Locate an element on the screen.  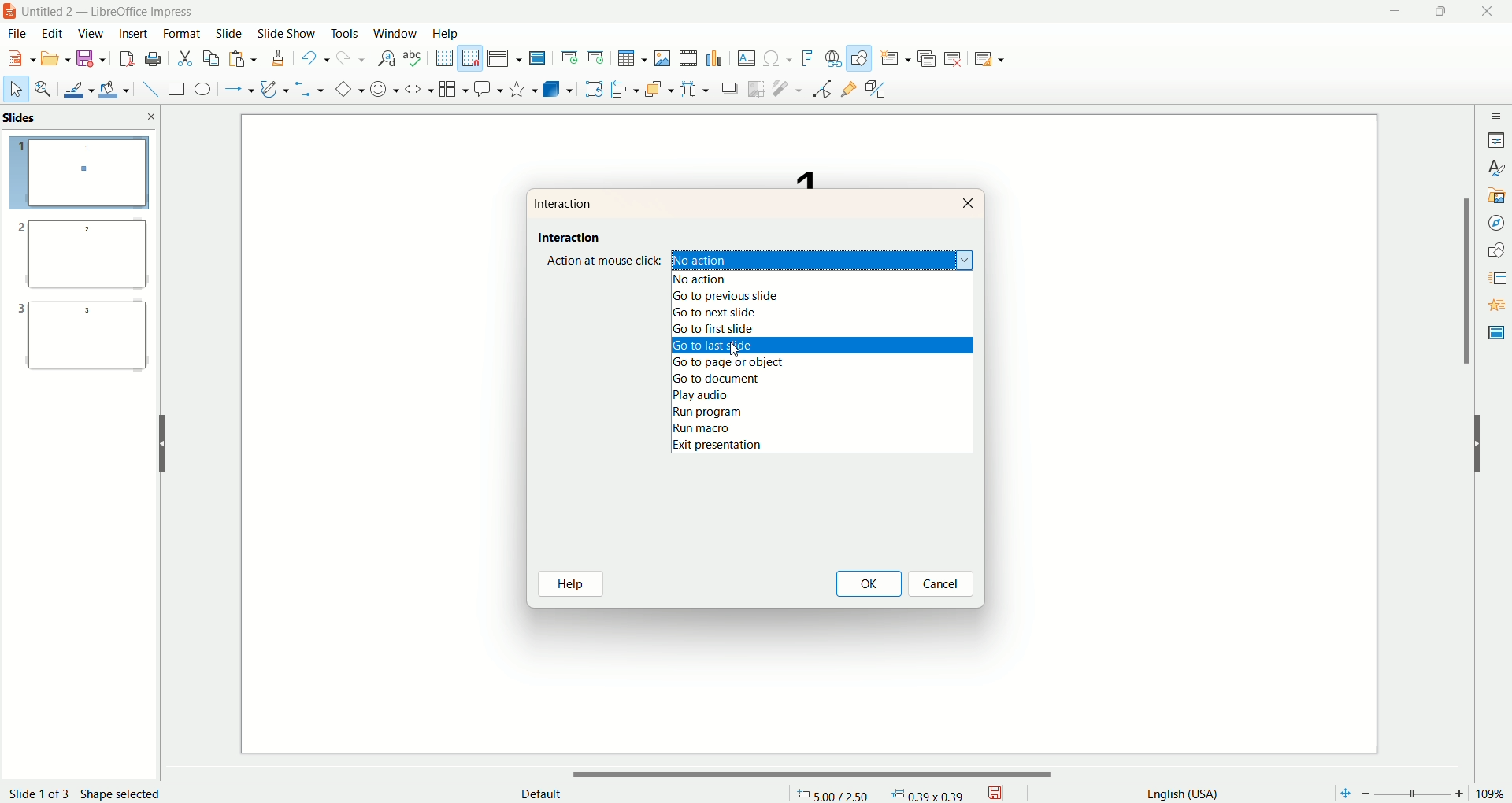
line and arrow is located at coordinates (237, 90).